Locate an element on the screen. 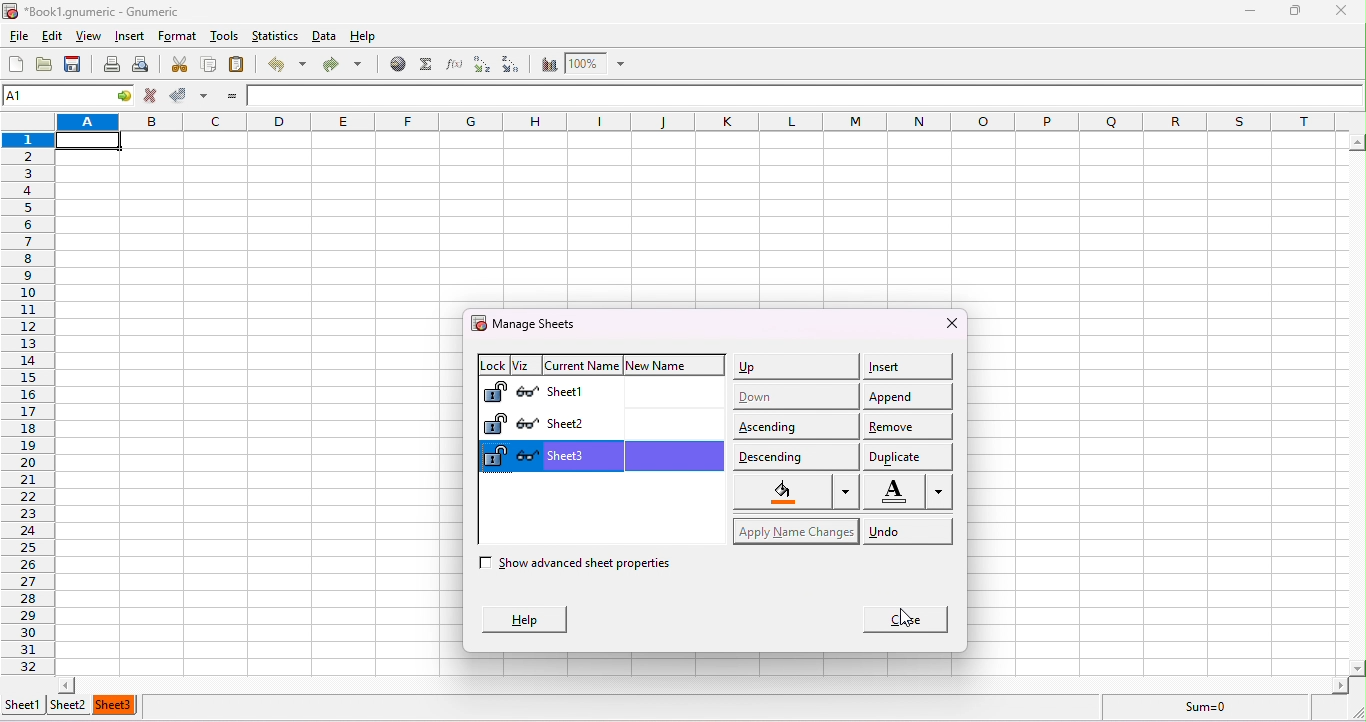 The image size is (1366, 722). sort descending order is located at coordinates (513, 63).